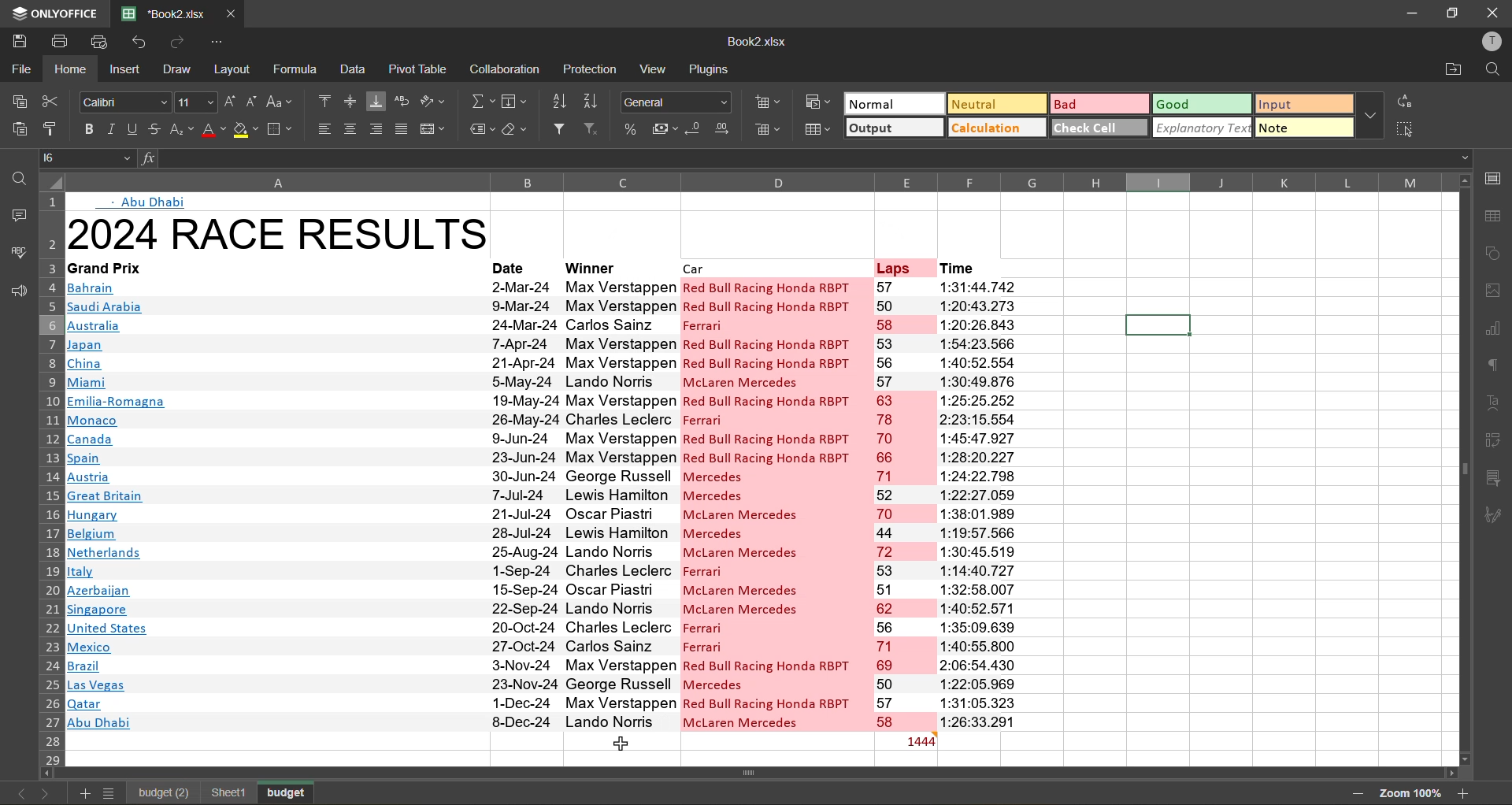  Describe the element at coordinates (1464, 792) in the screenshot. I see `zoom in` at that location.